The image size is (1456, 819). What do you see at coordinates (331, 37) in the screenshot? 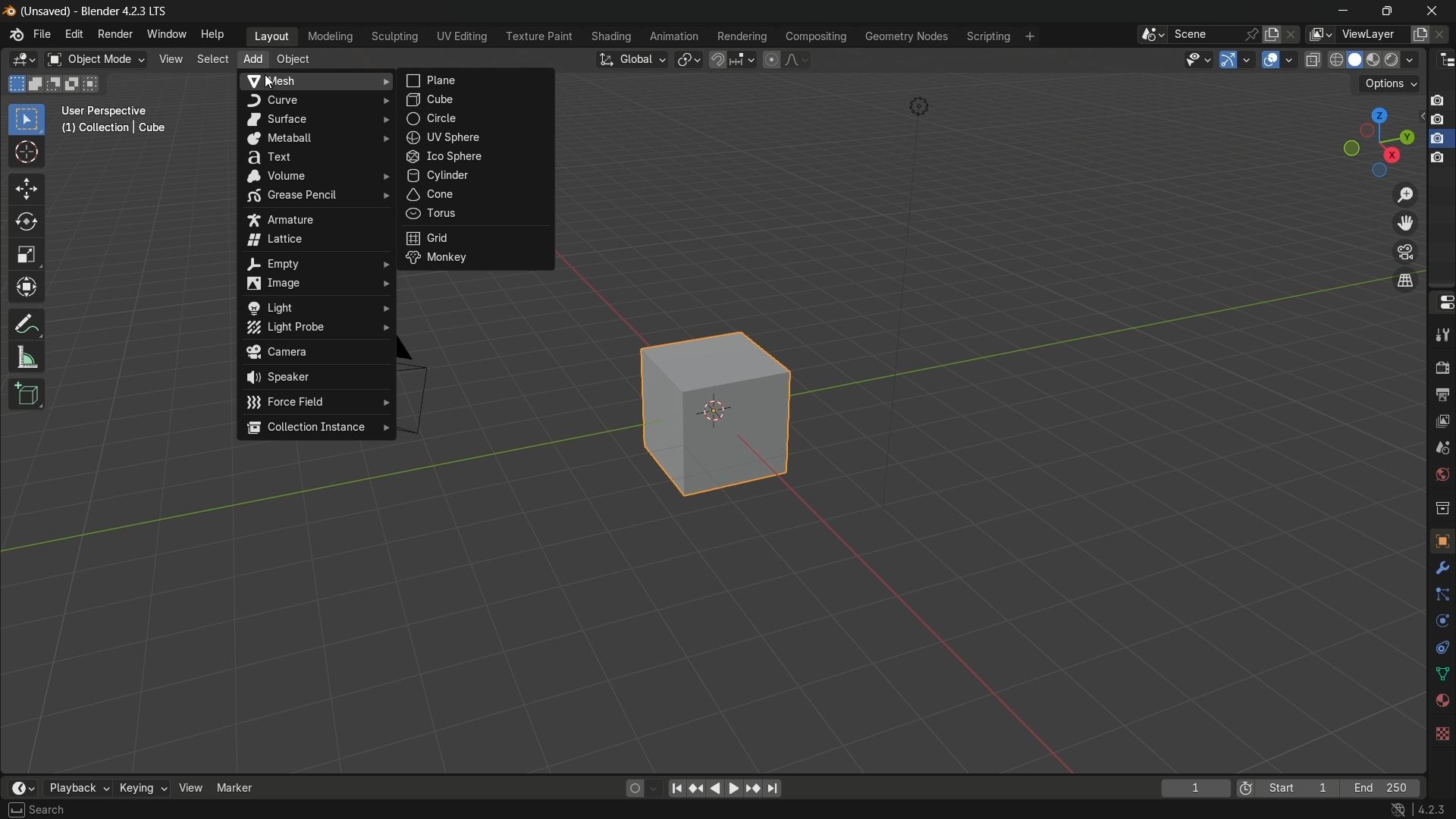
I see `modeling` at bounding box center [331, 37].